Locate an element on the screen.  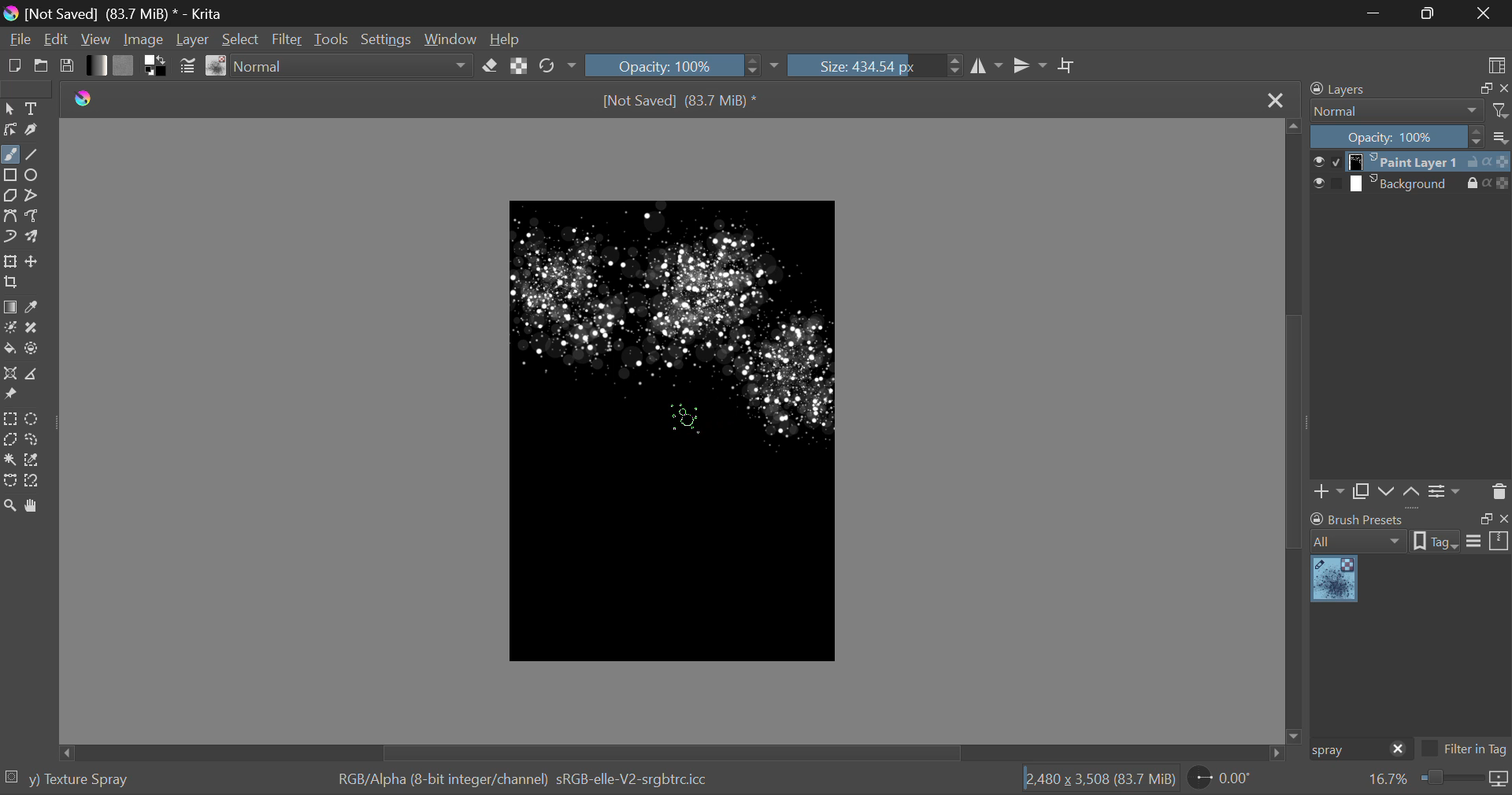
Polygon Selection is located at coordinates (10, 438).